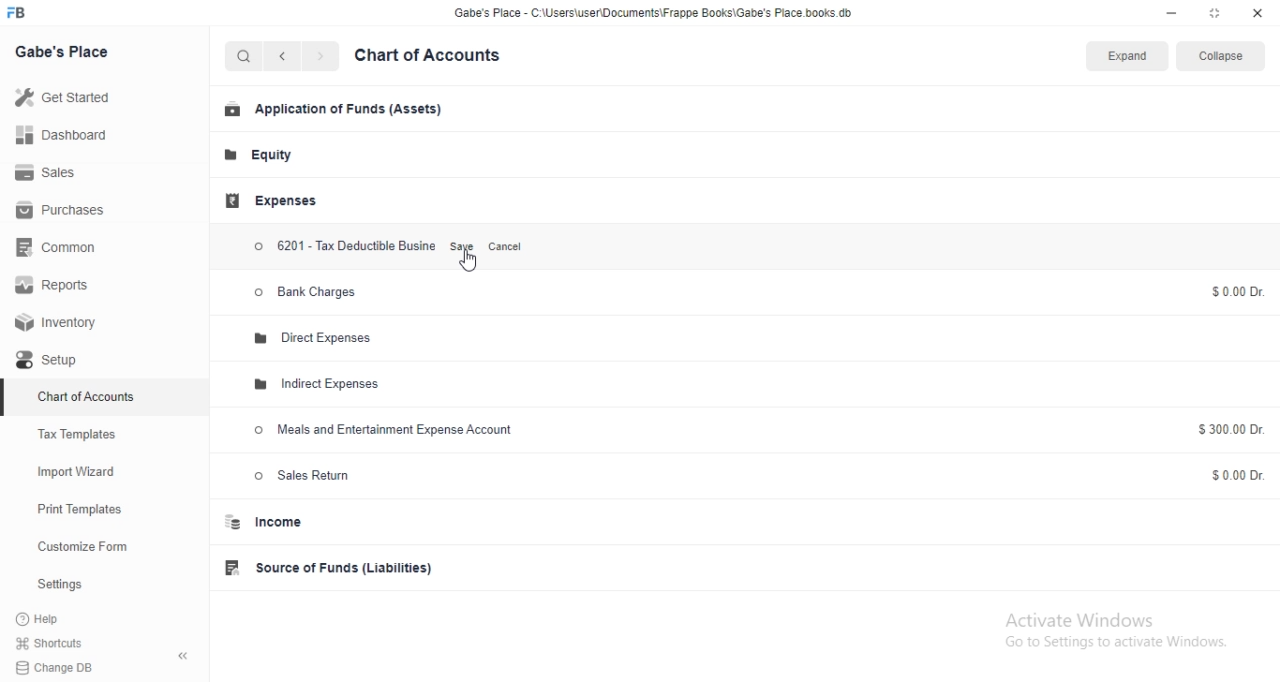 The image size is (1280, 682). I want to click on Activate Windows
Go to Settings to activate Windows., so click(1113, 638).